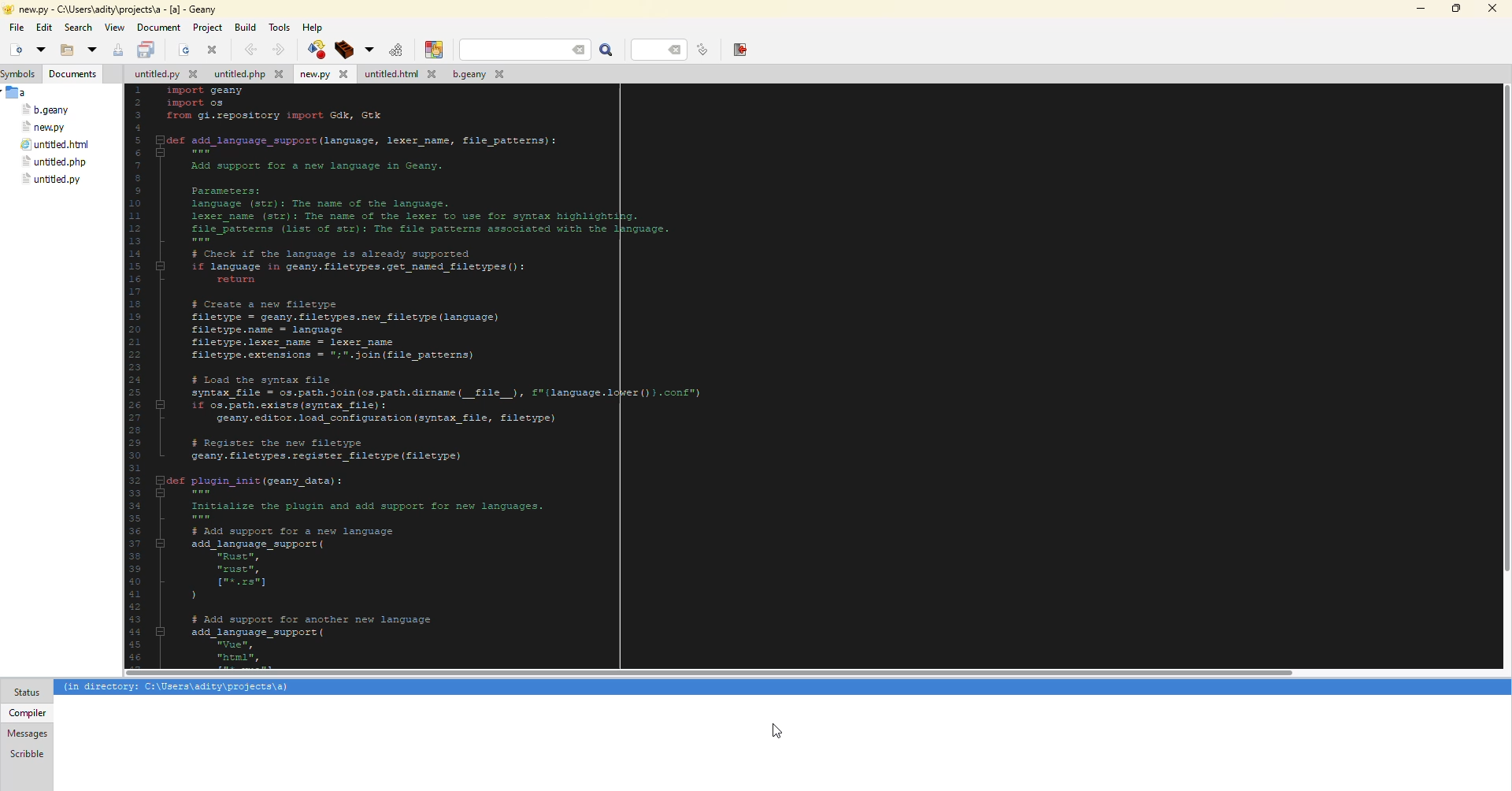 The width and height of the screenshot is (1512, 791). I want to click on file, so click(53, 161).